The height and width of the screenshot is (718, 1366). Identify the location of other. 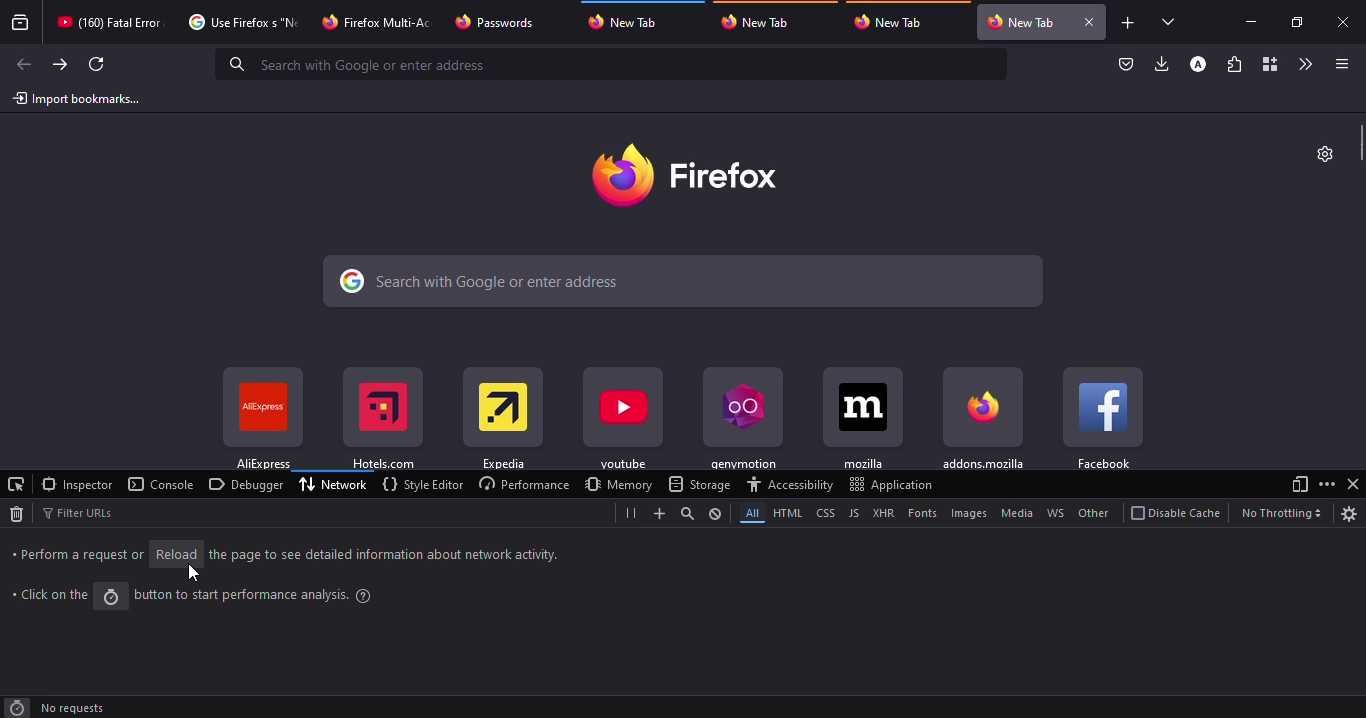
(1092, 513).